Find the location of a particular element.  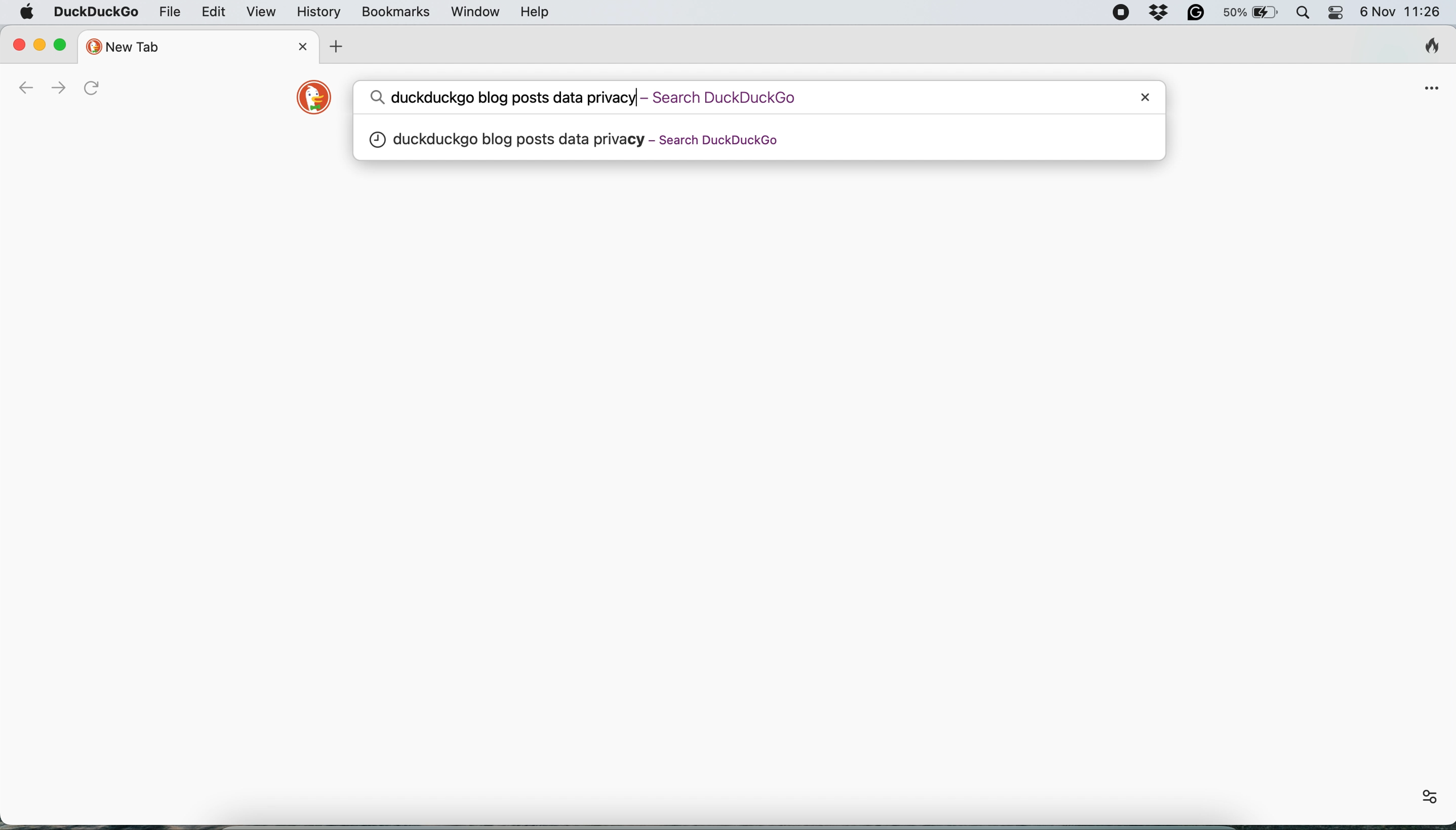

duckduckgo is located at coordinates (97, 12).